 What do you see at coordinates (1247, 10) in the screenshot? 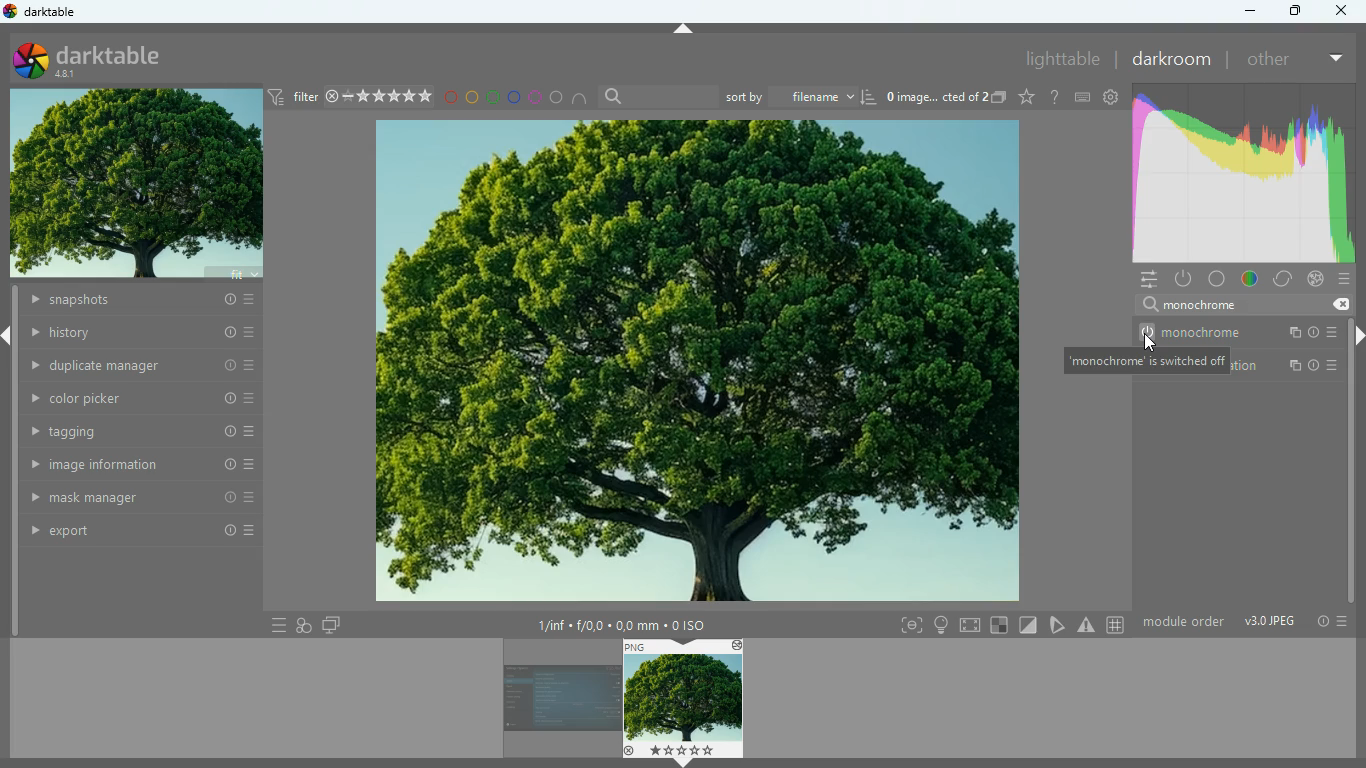
I see `minimize` at bounding box center [1247, 10].